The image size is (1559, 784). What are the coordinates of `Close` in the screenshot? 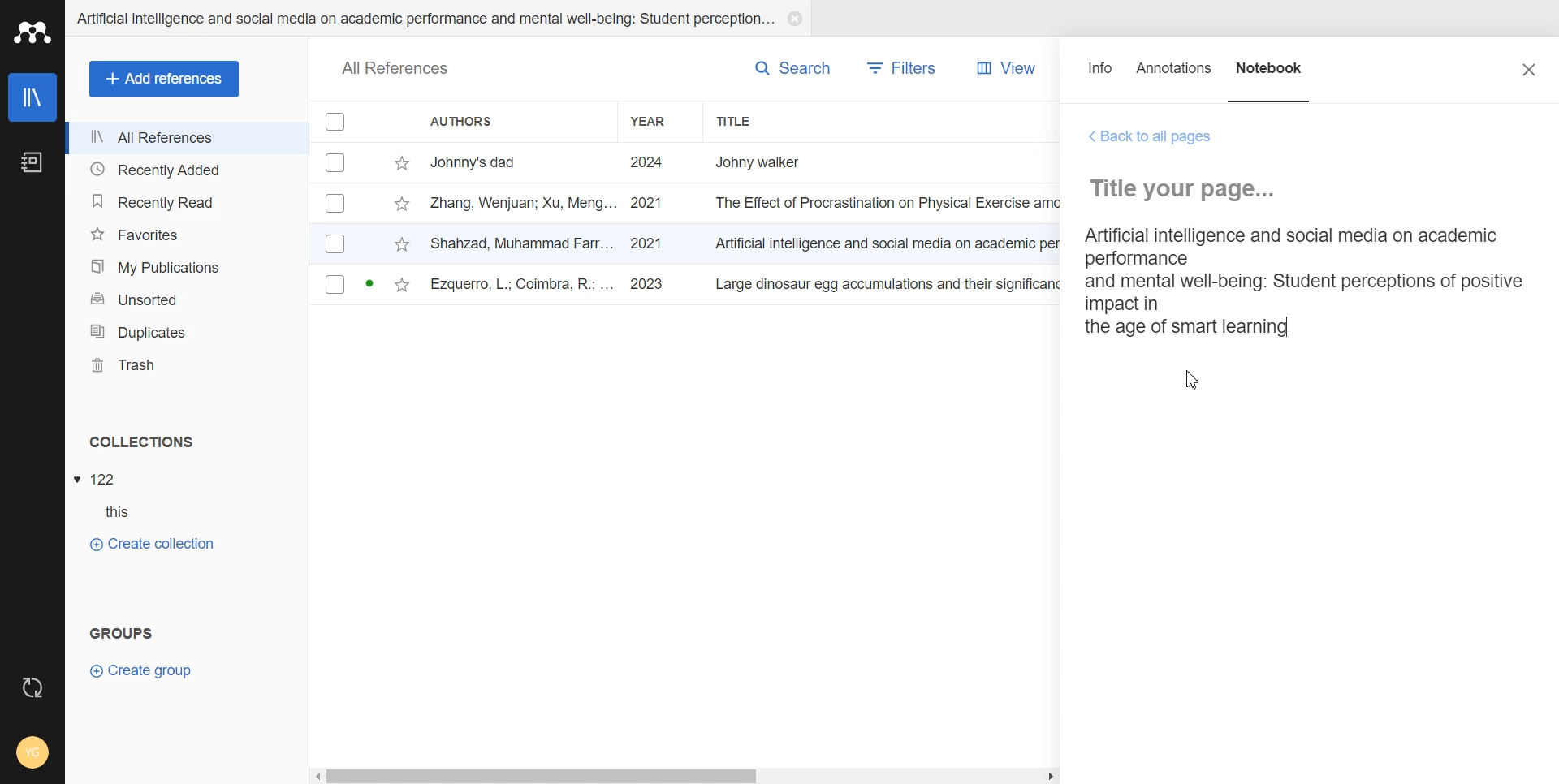 It's located at (794, 19).